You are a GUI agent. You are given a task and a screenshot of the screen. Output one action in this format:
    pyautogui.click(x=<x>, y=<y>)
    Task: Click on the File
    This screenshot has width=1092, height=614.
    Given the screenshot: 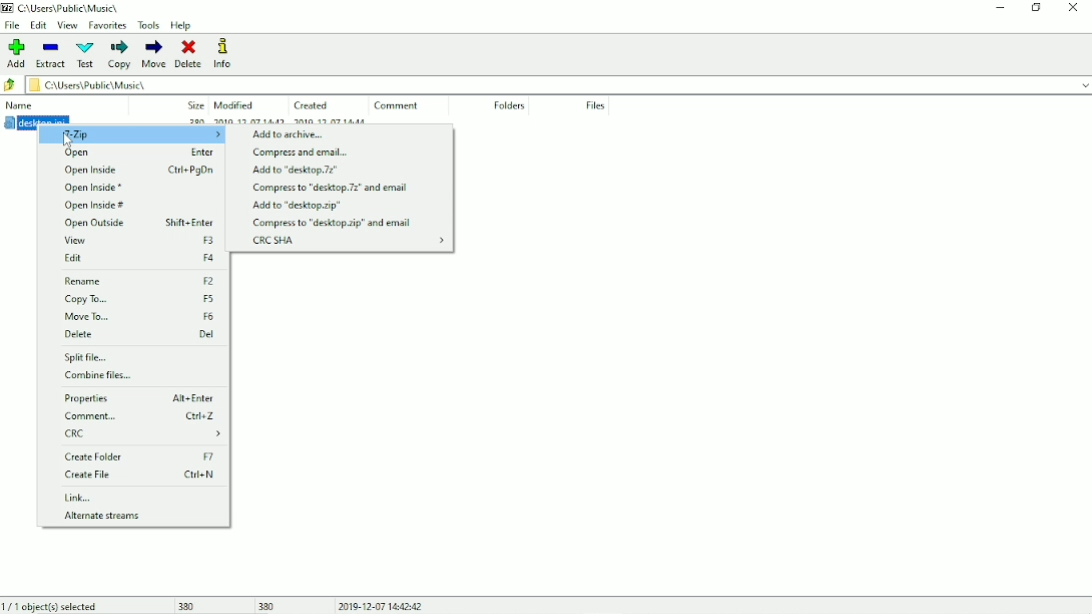 What is the action you would take?
    pyautogui.click(x=14, y=26)
    